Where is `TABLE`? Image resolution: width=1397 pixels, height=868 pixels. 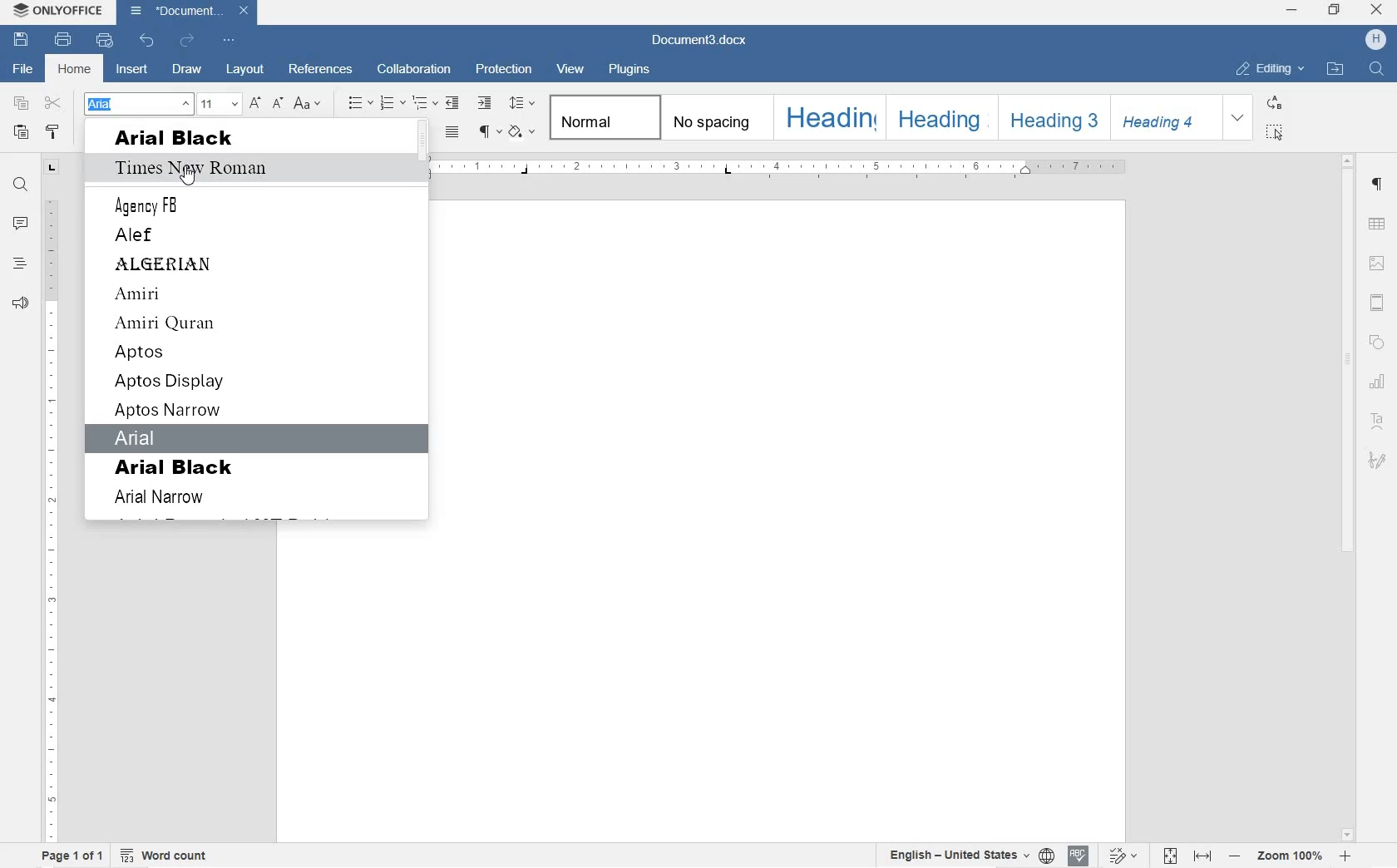 TABLE is located at coordinates (1376, 224).